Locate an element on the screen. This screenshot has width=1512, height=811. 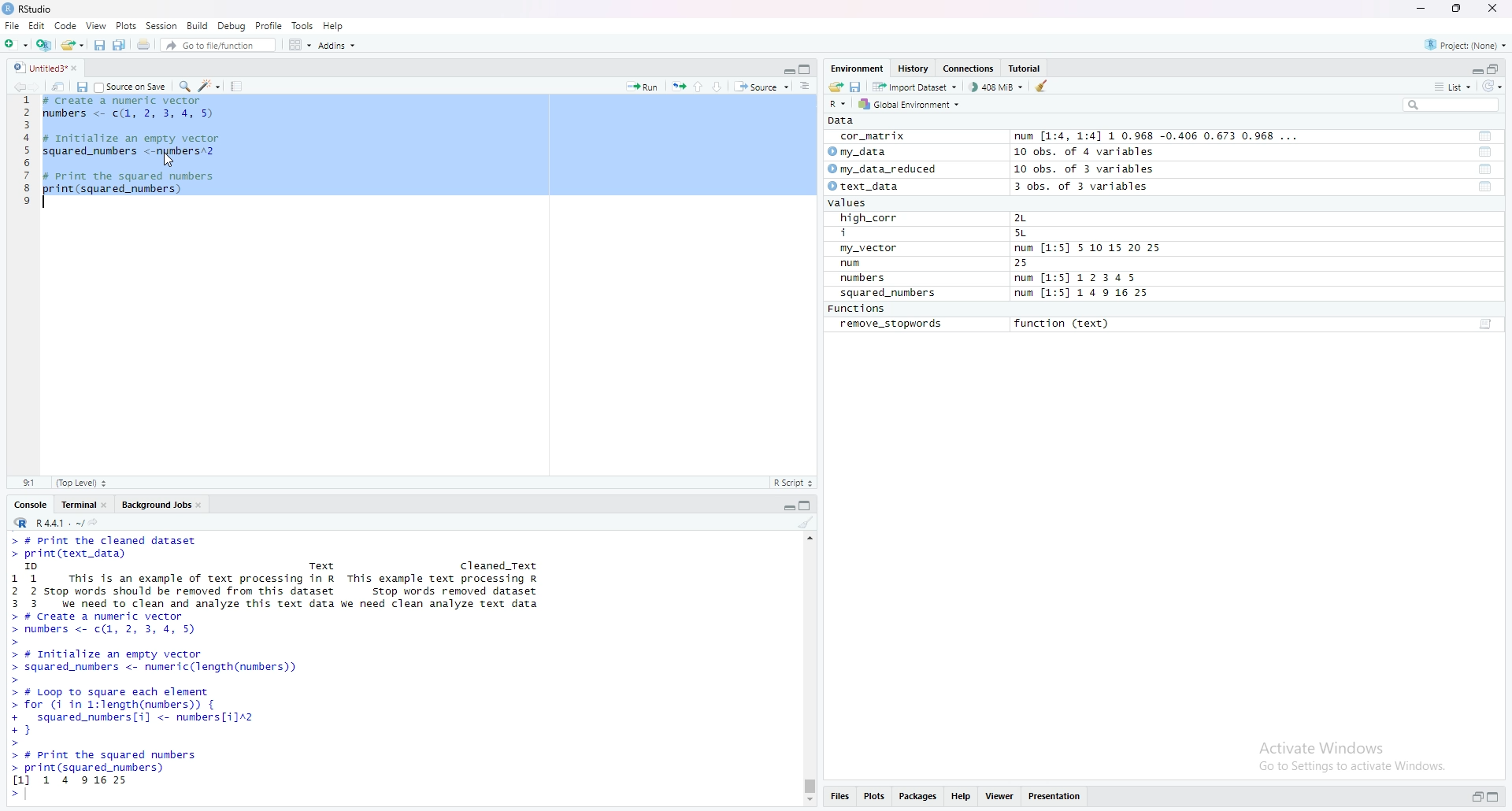
cursor is located at coordinates (168, 161).